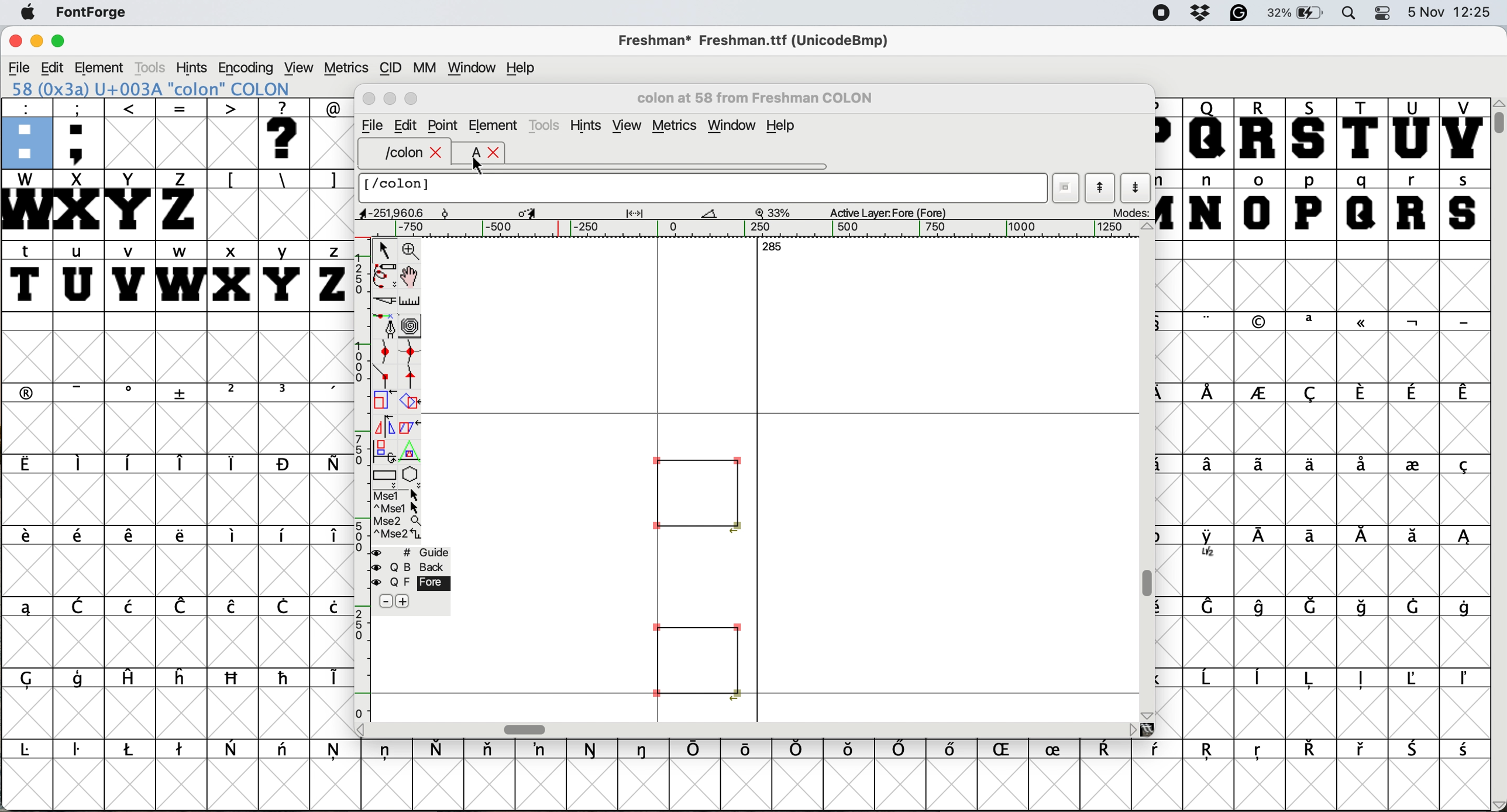 Image resolution: width=1507 pixels, height=812 pixels. I want to click on symbol, so click(1261, 679).